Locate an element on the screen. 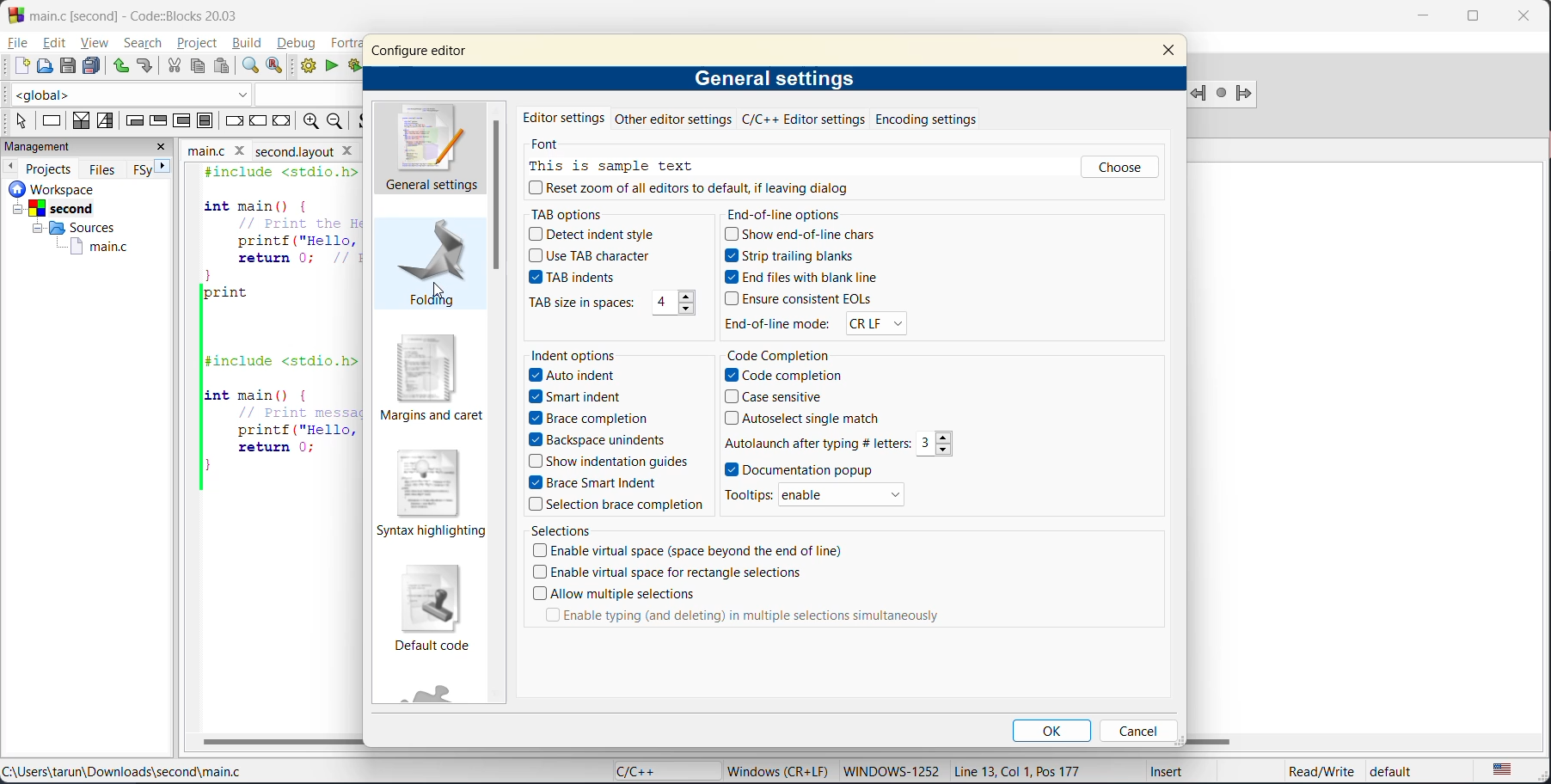 The image size is (1551, 784). Backspace unindents is located at coordinates (596, 439).